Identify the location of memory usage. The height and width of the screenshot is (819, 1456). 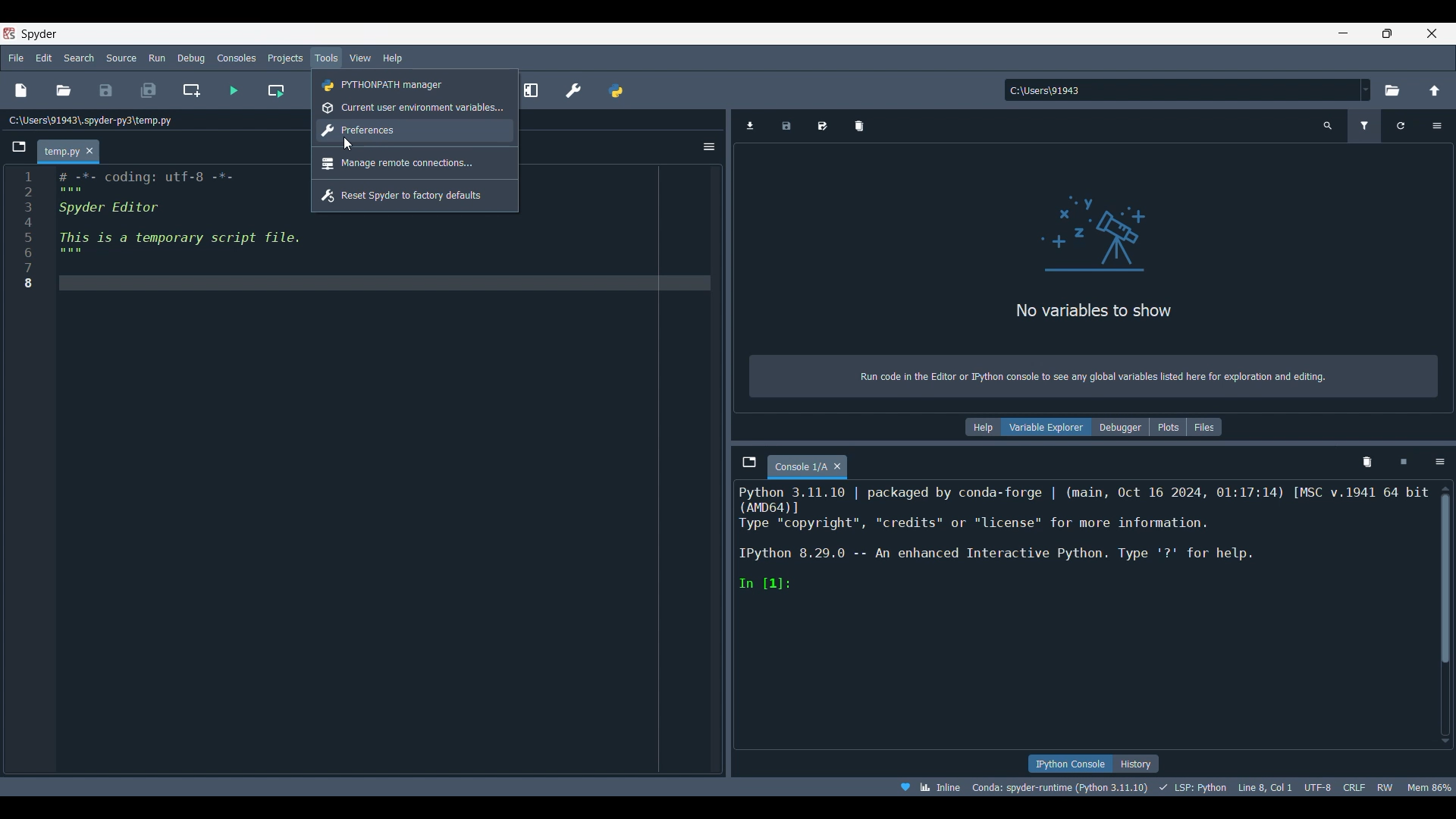
(1429, 786).